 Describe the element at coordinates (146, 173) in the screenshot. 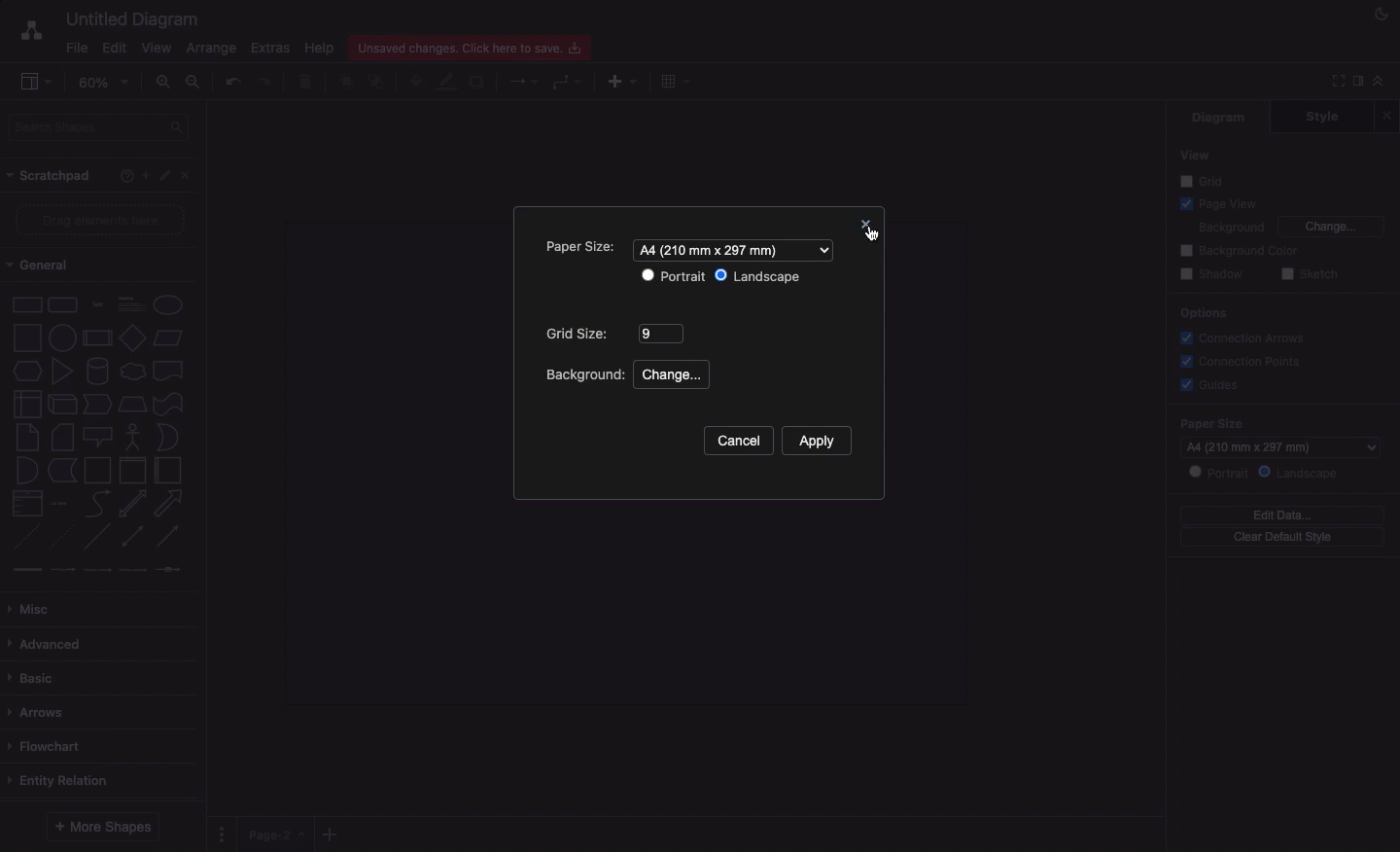

I see `Add` at that location.